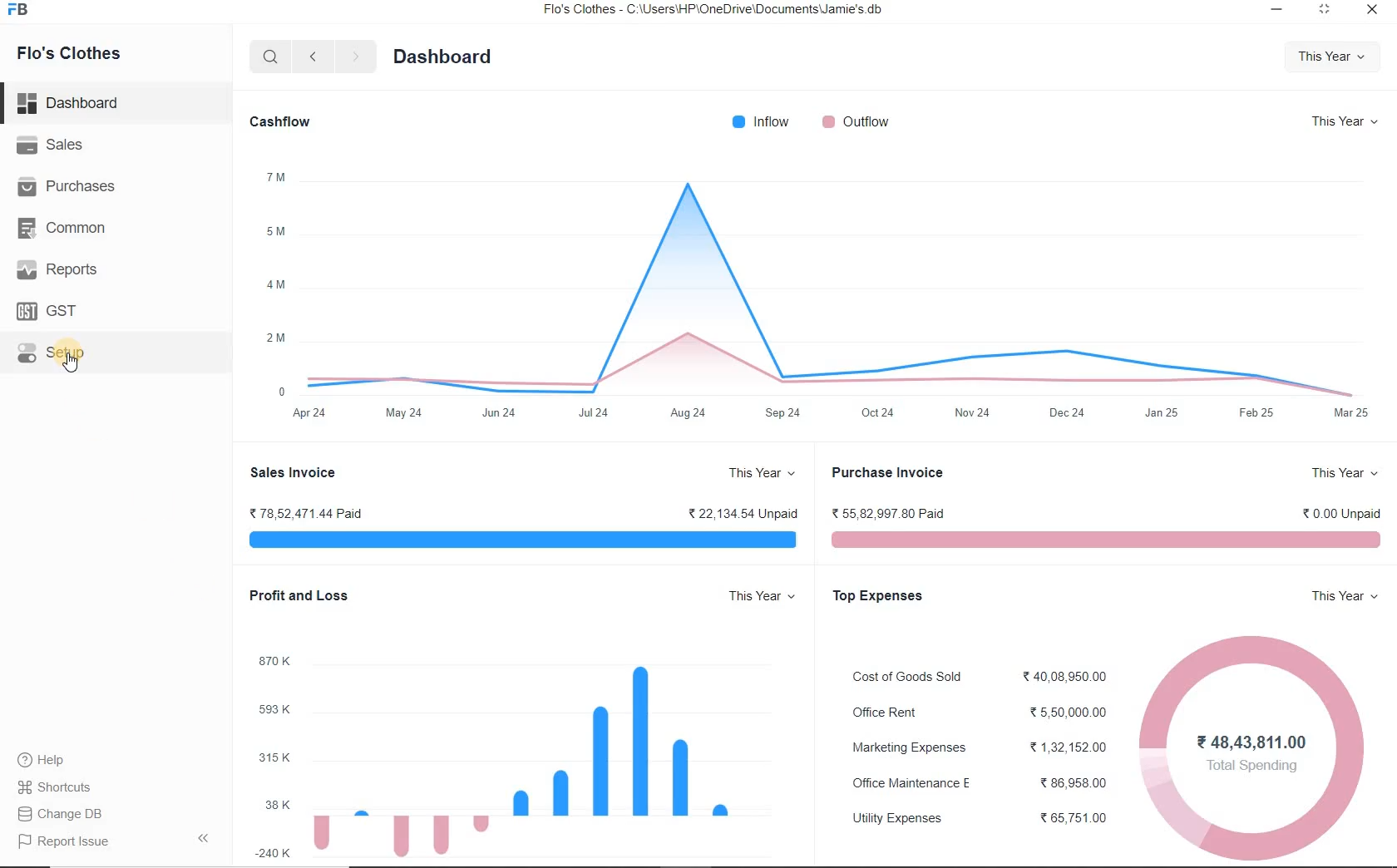 Image resolution: width=1397 pixels, height=868 pixels. What do you see at coordinates (1328, 10) in the screenshot?
I see `restore` at bounding box center [1328, 10].